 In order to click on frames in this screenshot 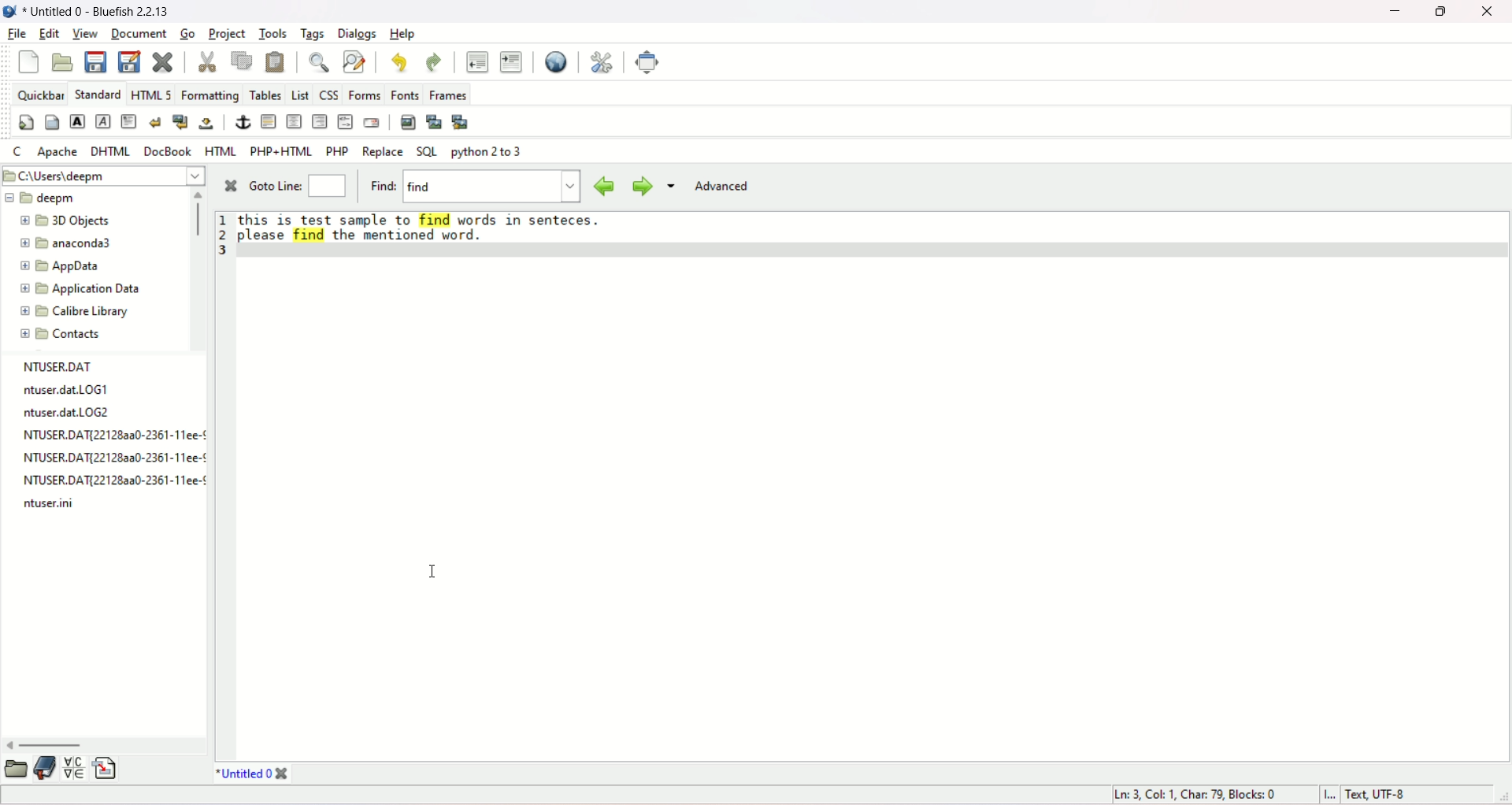, I will do `click(450, 95)`.